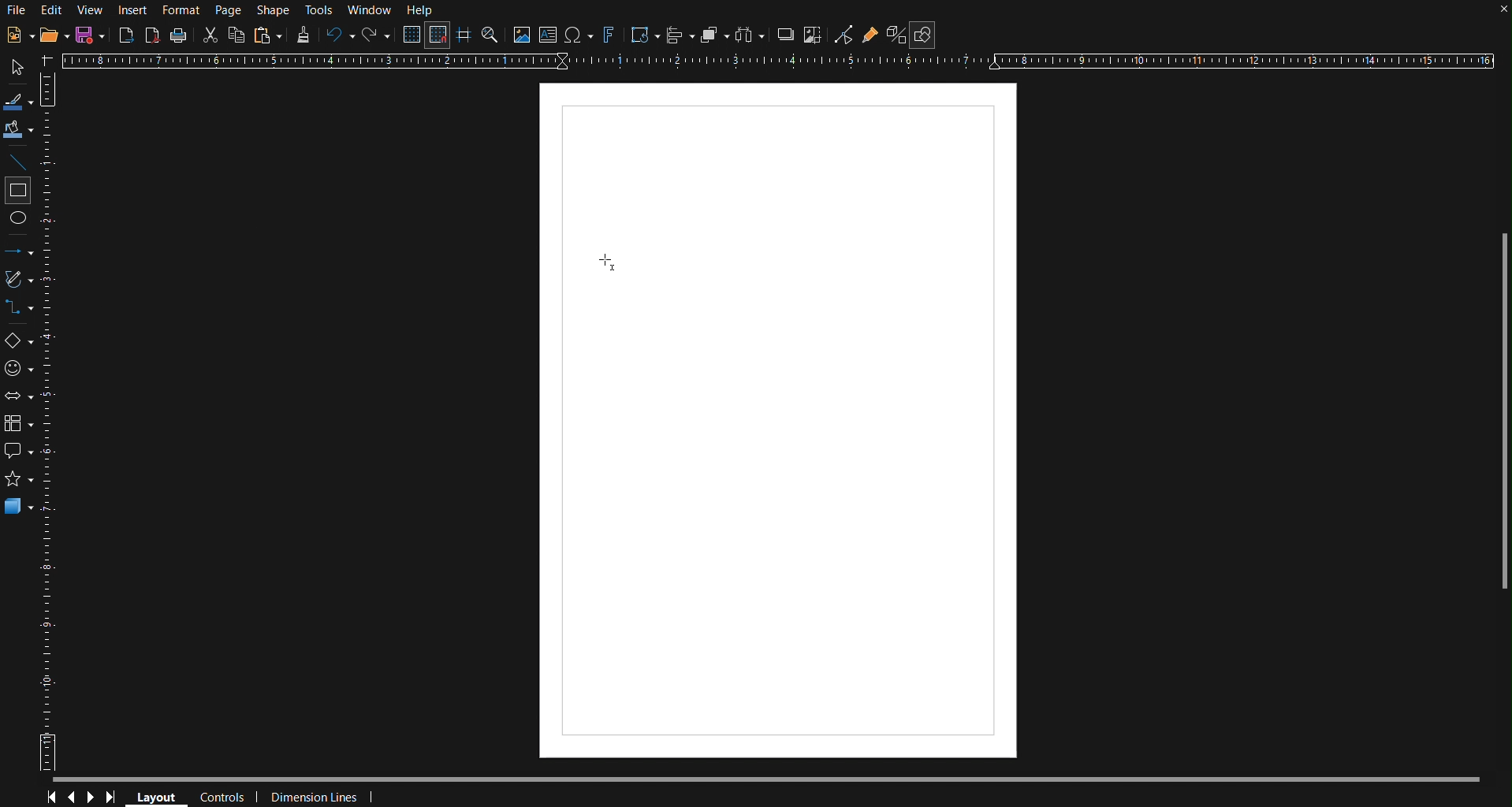 This screenshot has height=807, width=1512. I want to click on Export, so click(126, 35).